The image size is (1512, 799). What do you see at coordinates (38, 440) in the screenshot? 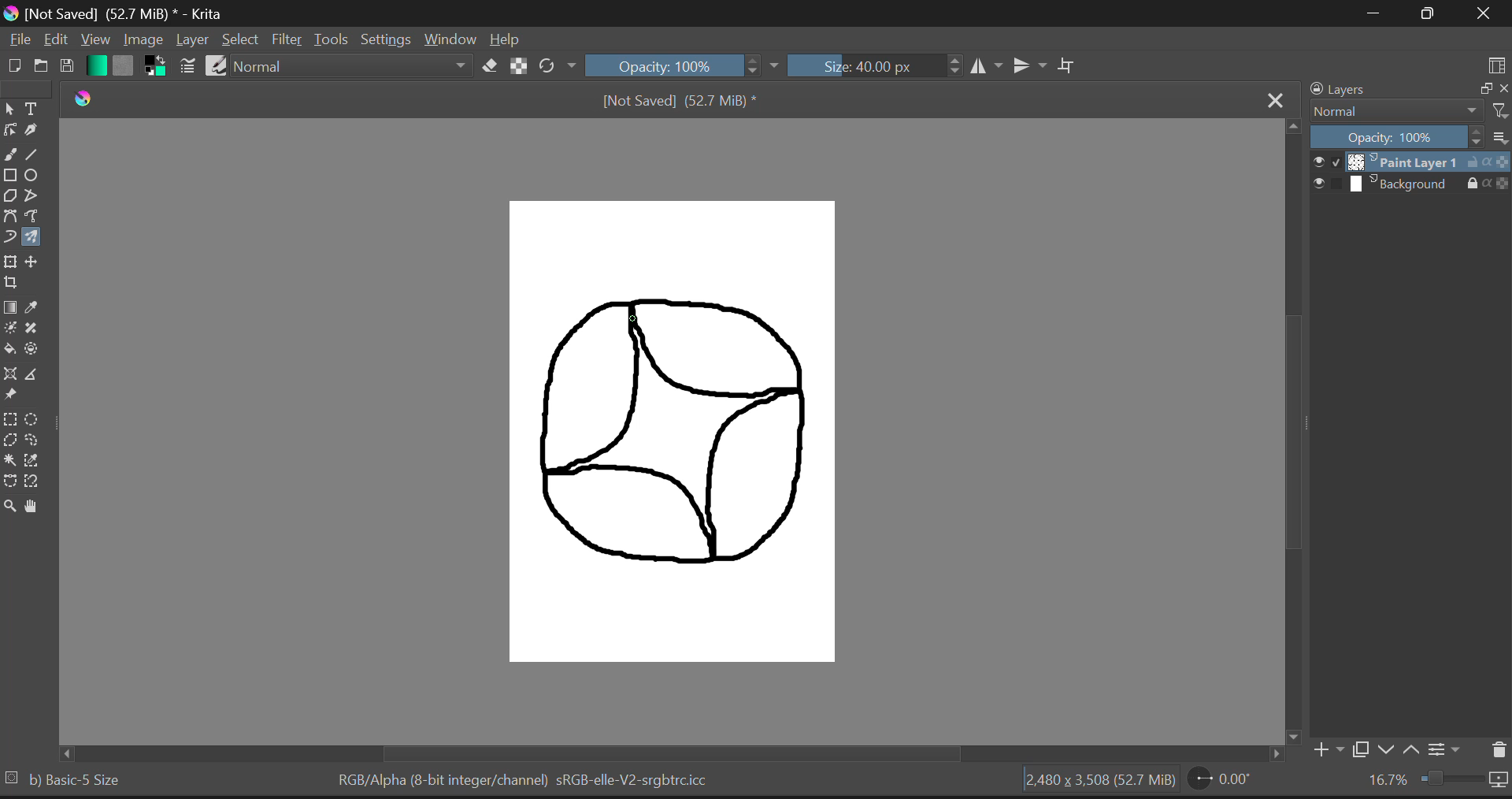
I see `Freehand Selection` at bounding box center [38, 440].